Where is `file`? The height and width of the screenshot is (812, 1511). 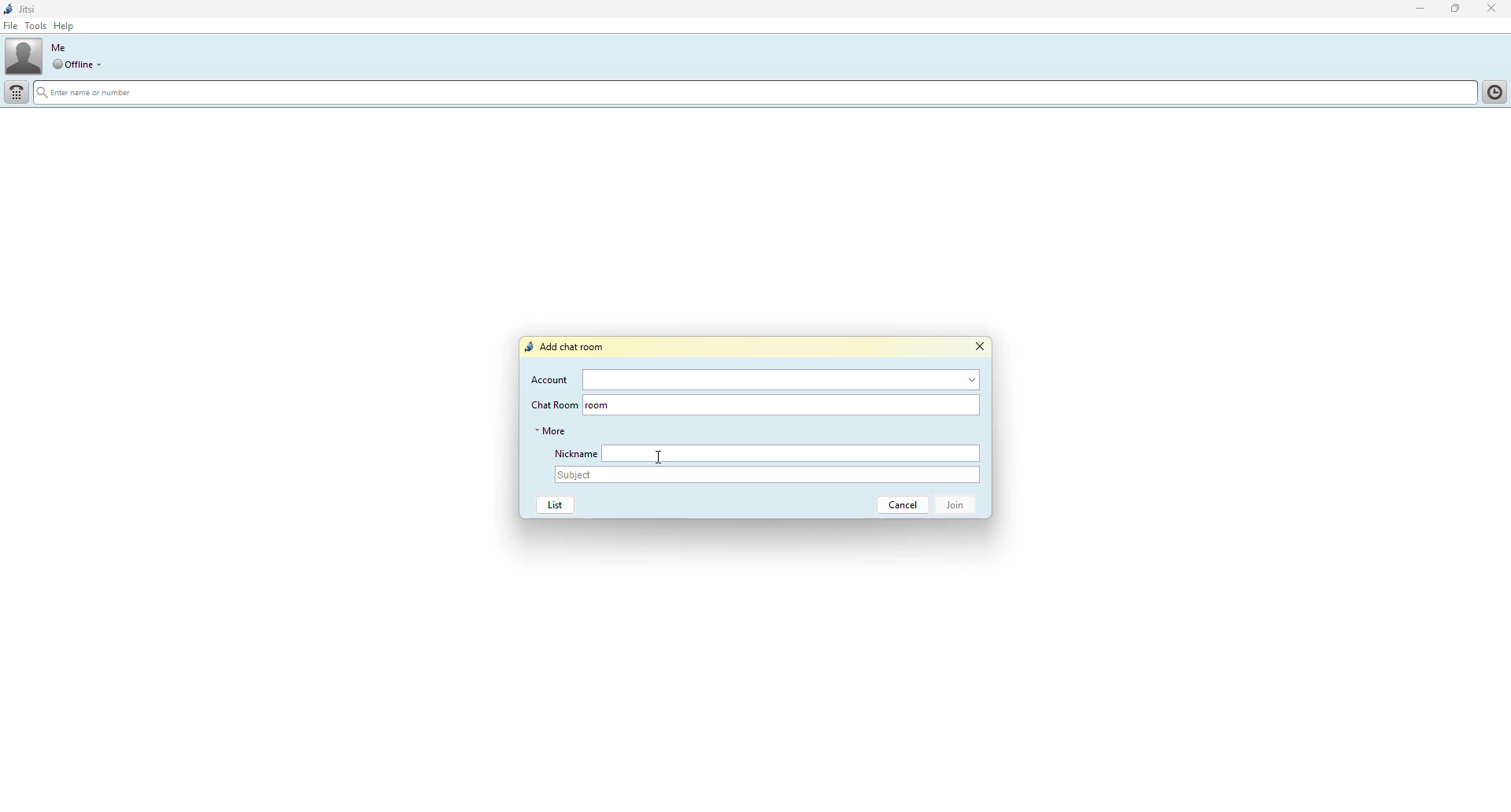
file is located at coordinates (11, 27).